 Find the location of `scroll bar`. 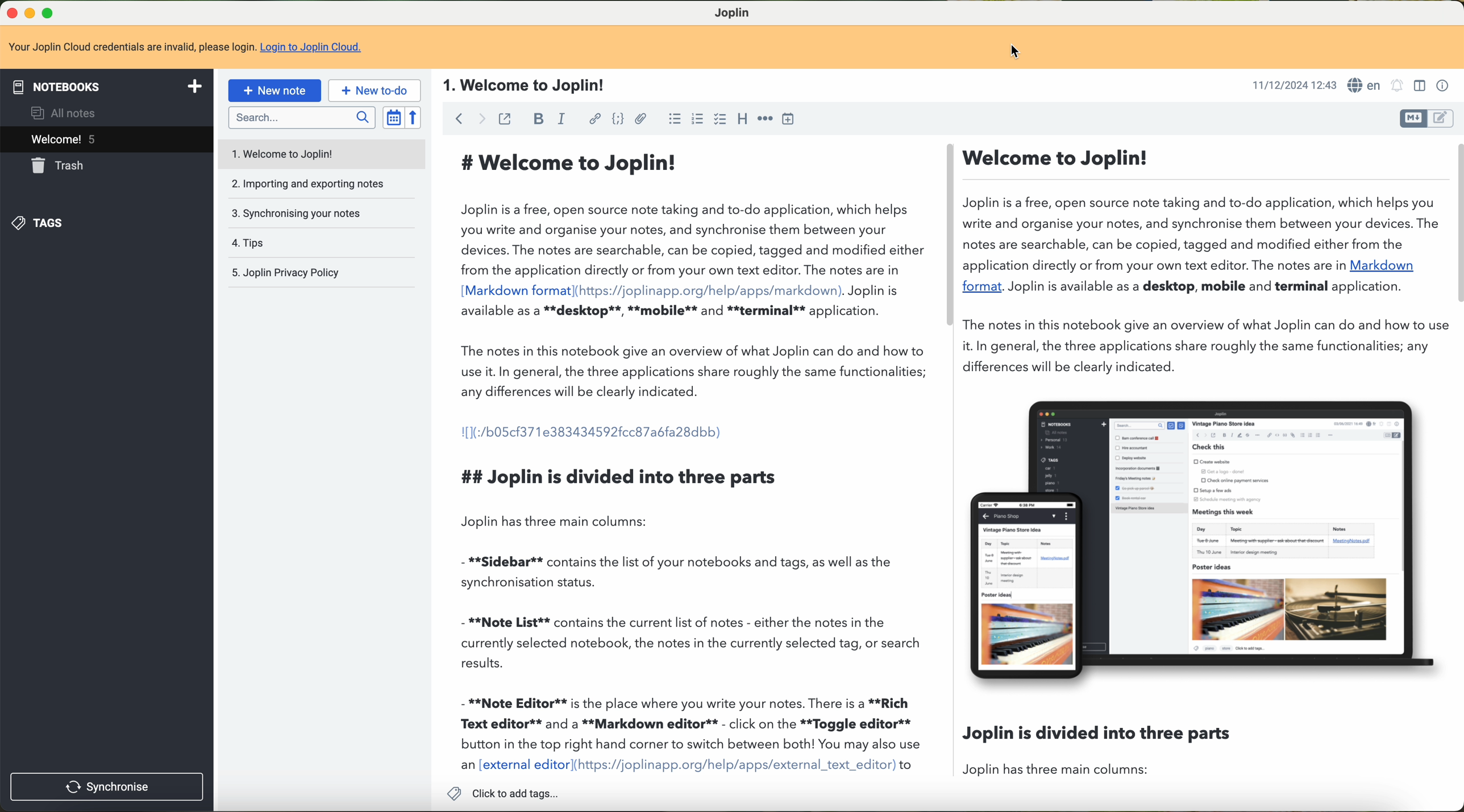

scroll bar is located at coordinates (1455, 223).